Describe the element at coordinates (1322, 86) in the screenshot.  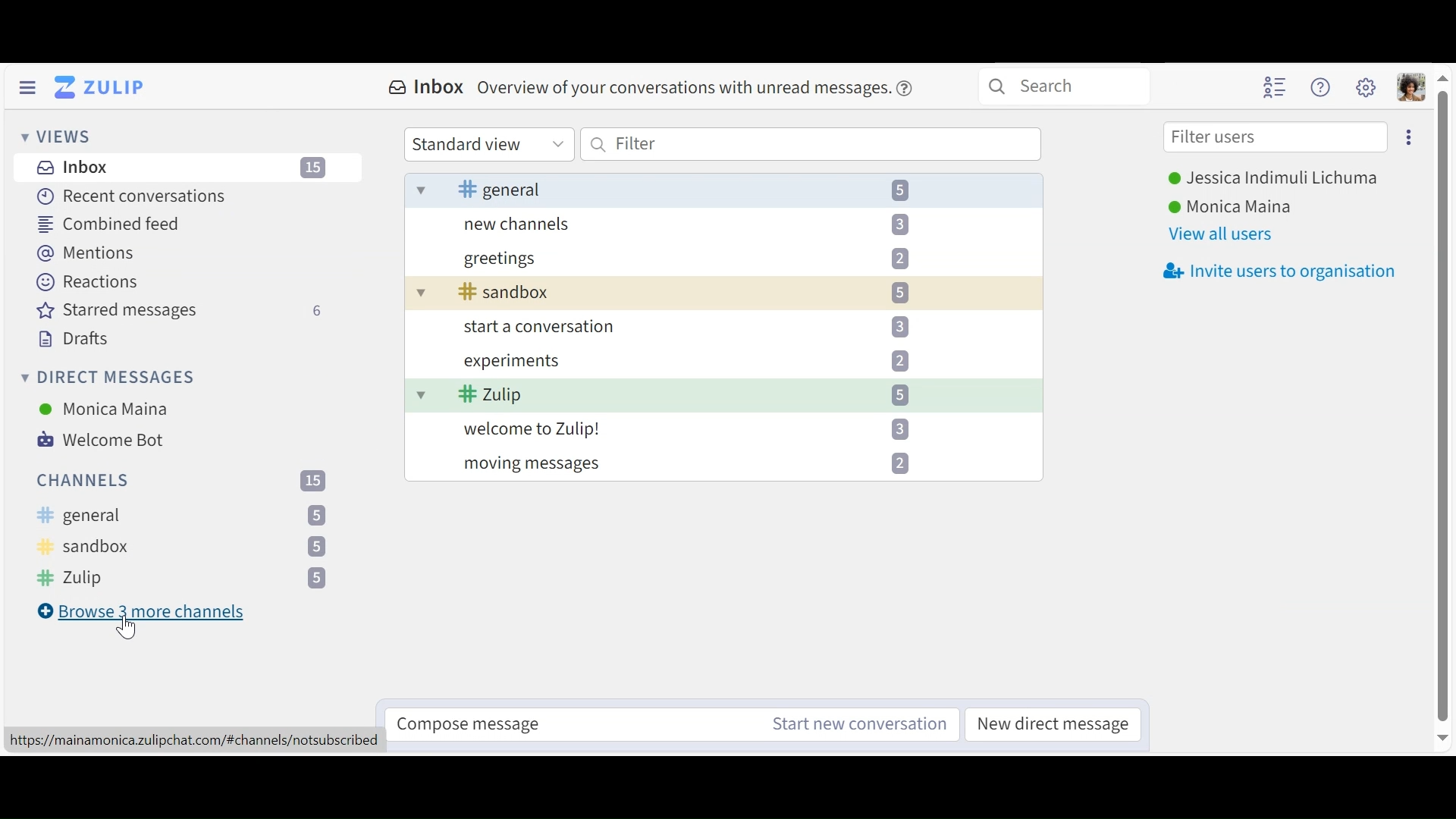
I see `Help menu` at that location.